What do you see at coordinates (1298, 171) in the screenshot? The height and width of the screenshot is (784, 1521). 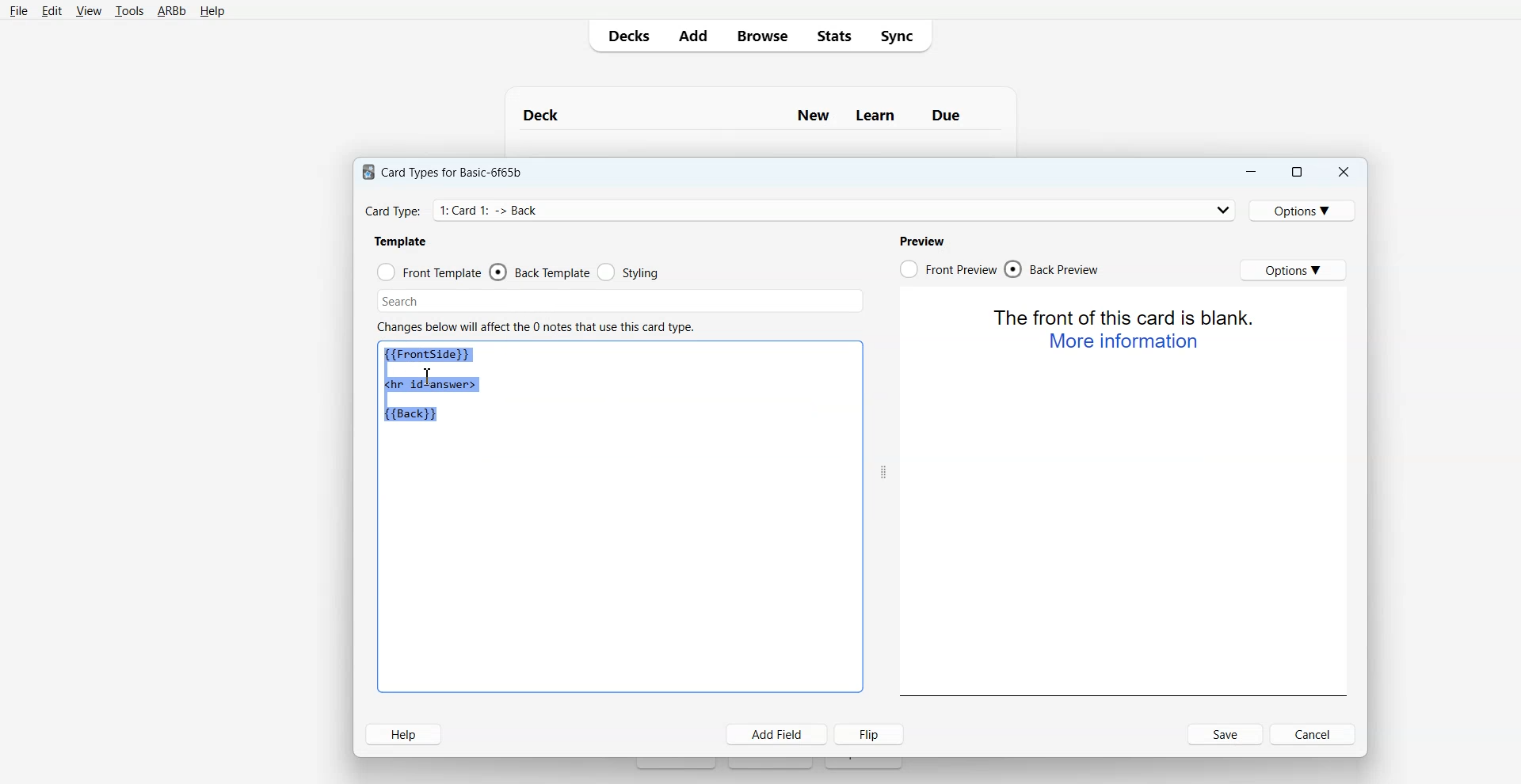 I see `Maximize` at bounding box center [1298, 171].